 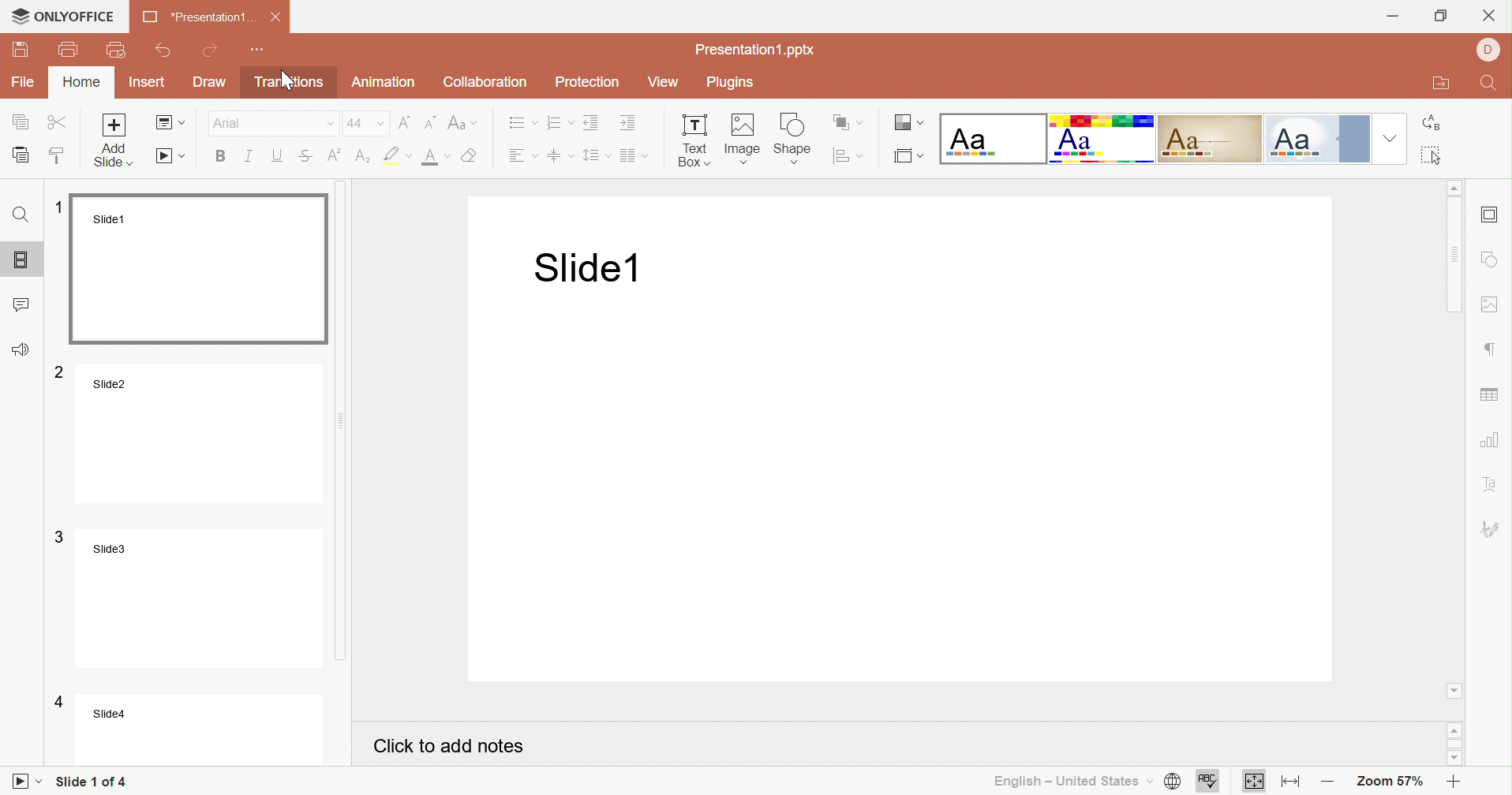 What do you see at coordinates (1440, 15) in the screenshot?
I see `Restore down` at bounding box center [1440, 15].